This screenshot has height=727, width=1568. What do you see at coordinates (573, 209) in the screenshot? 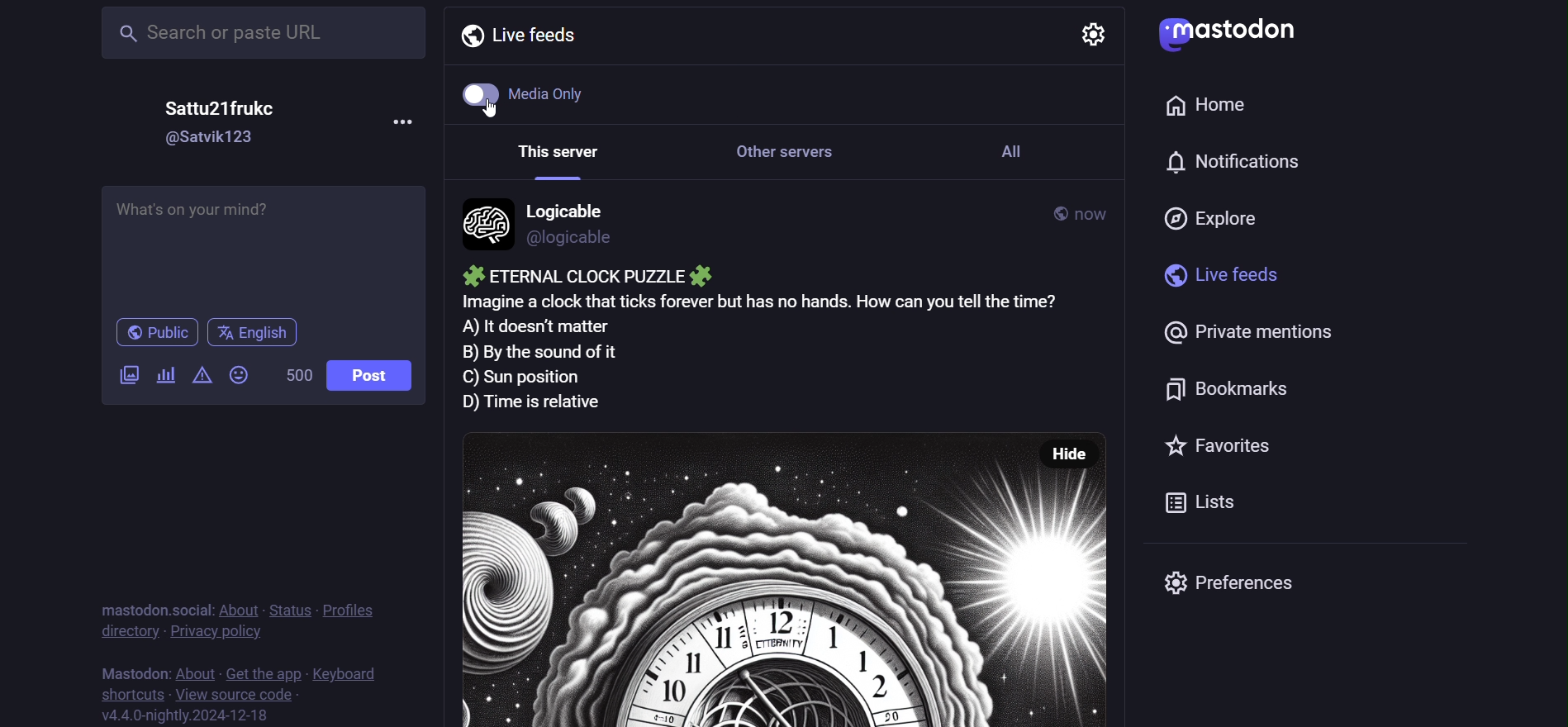
I see `logicable` at bounding box center [573, 209].